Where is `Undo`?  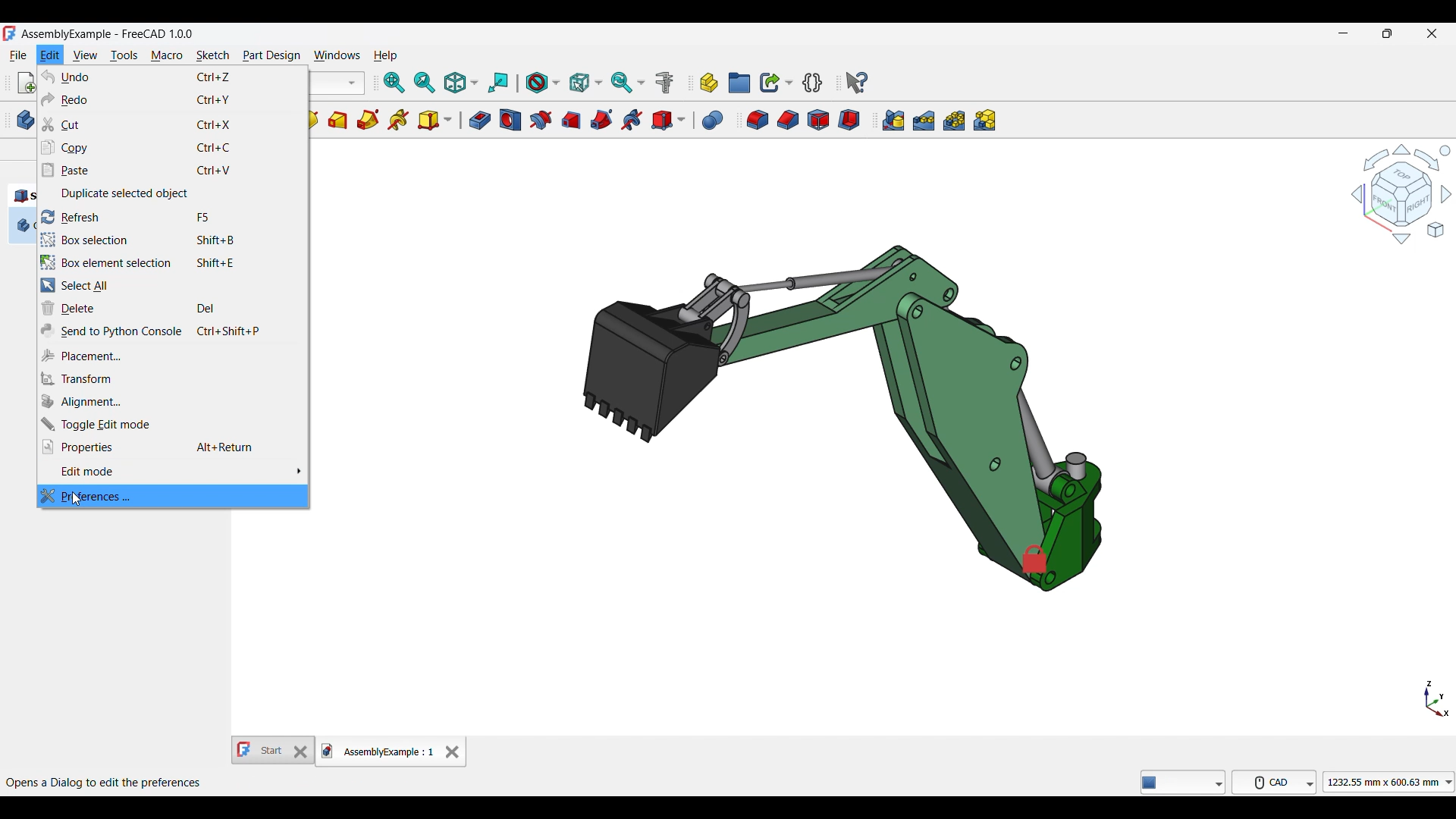 Undo is located at coordinates (172, 77).